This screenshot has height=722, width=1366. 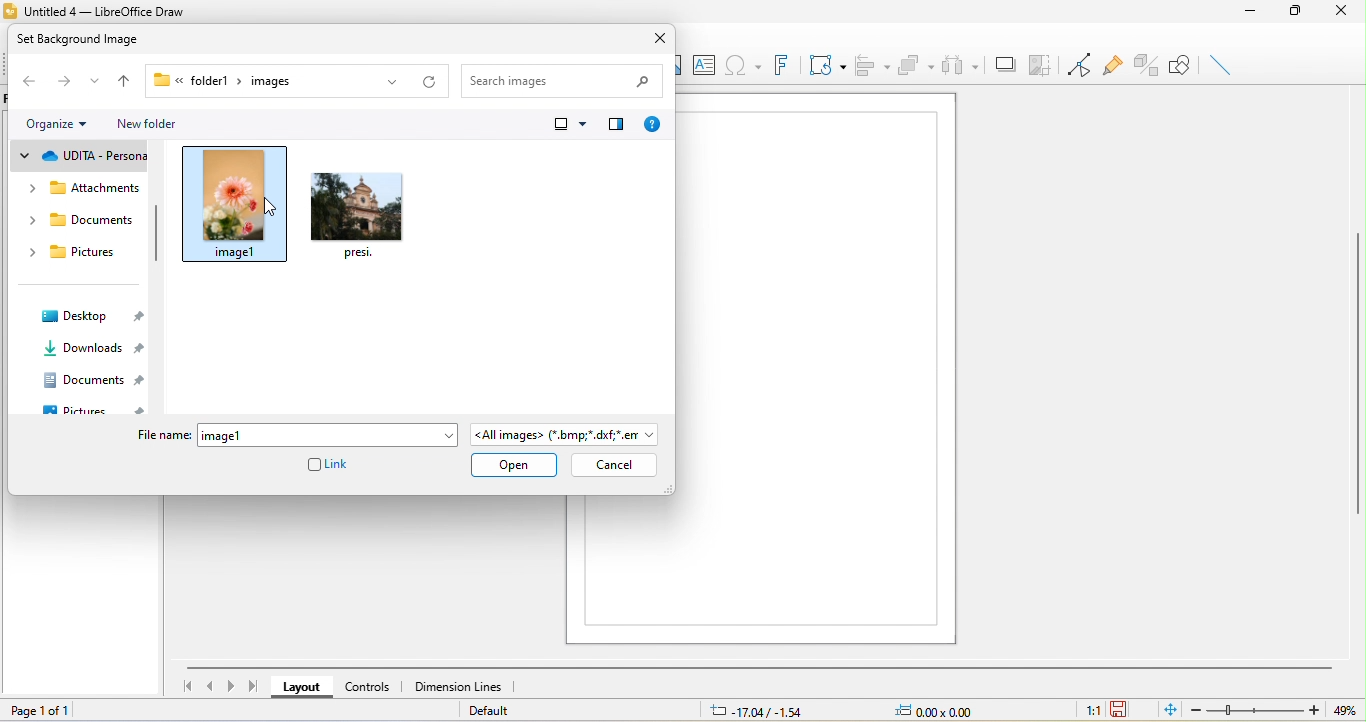 What do you see at coordinates (458, 686) in the screenshot?
I see `dimension lines` at bounding box center [458, 686].